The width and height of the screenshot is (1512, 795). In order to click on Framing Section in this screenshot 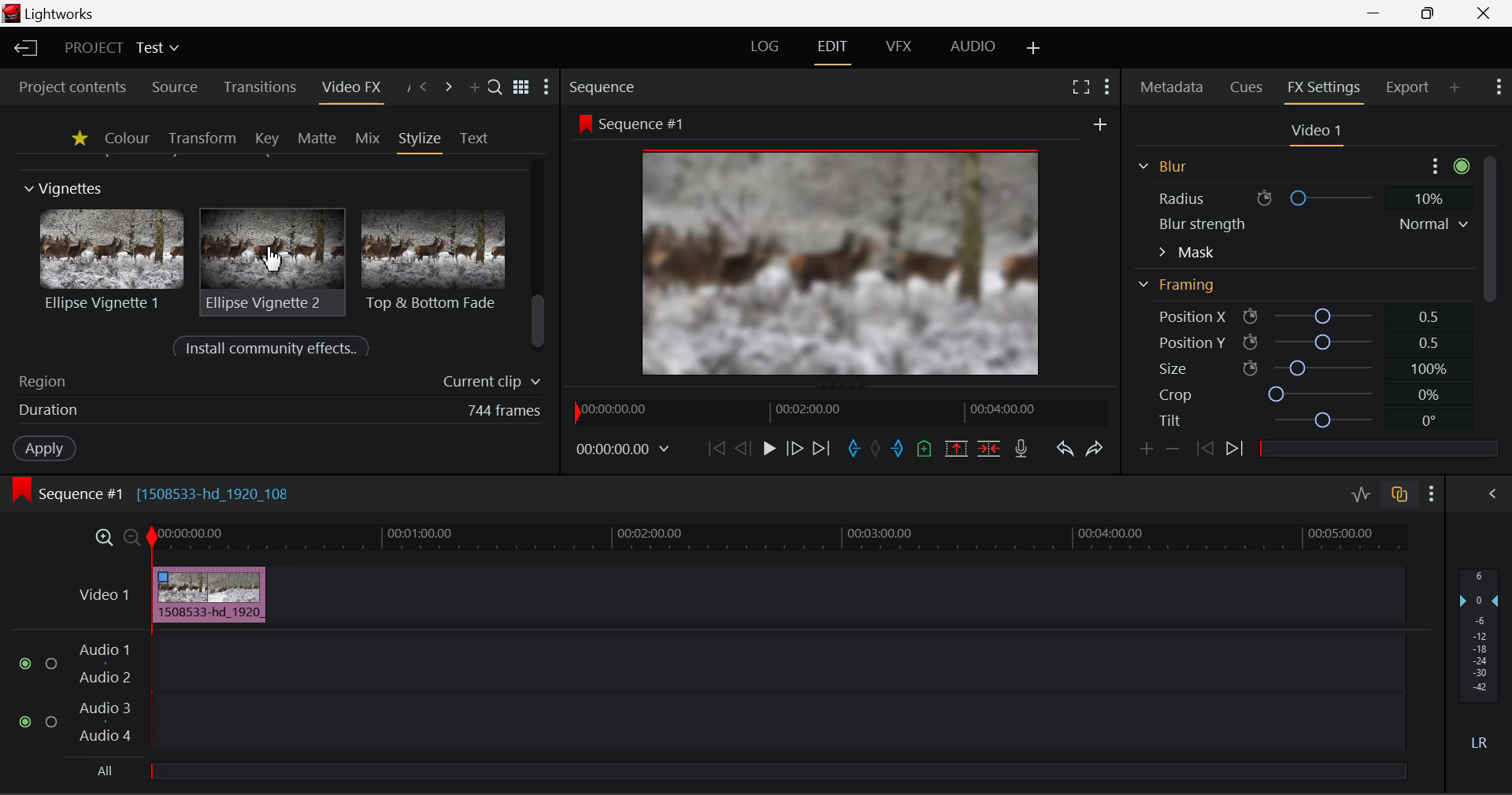, I will do `click(1182, 290)`.